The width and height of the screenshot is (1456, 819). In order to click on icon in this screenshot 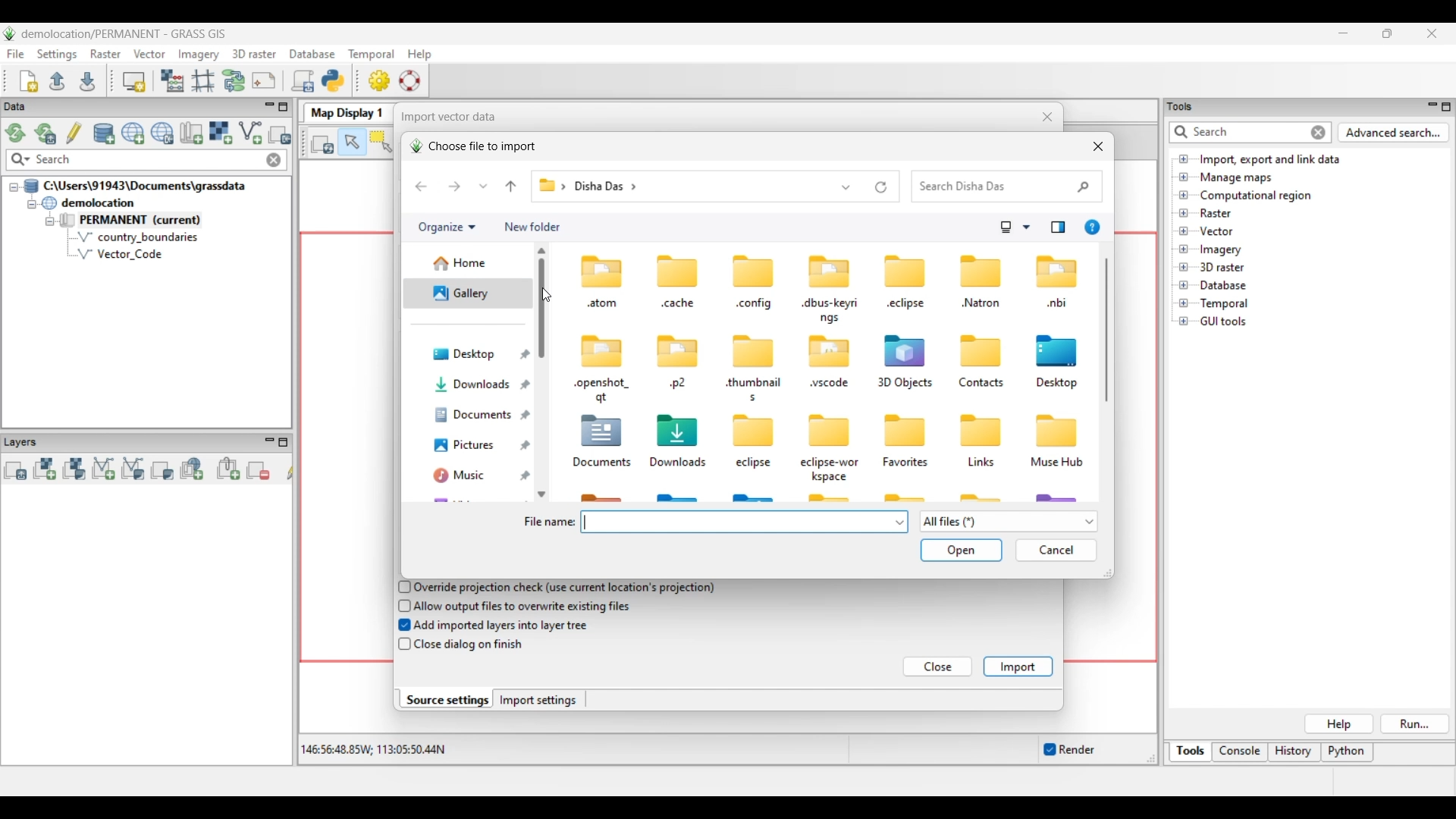, I will do `click(598, 269)`.